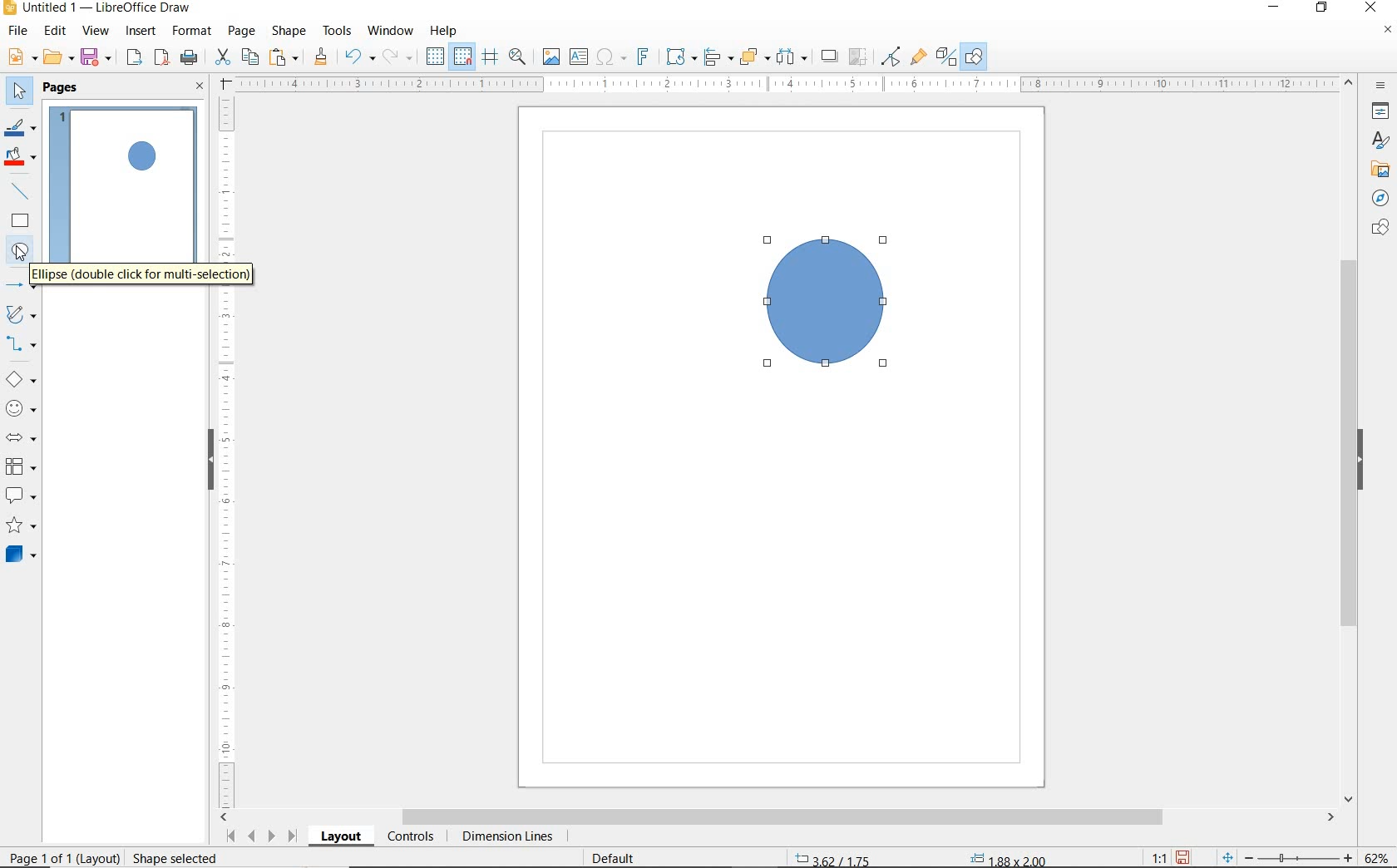  I want to click on ARRANGE, so click(754, 57).